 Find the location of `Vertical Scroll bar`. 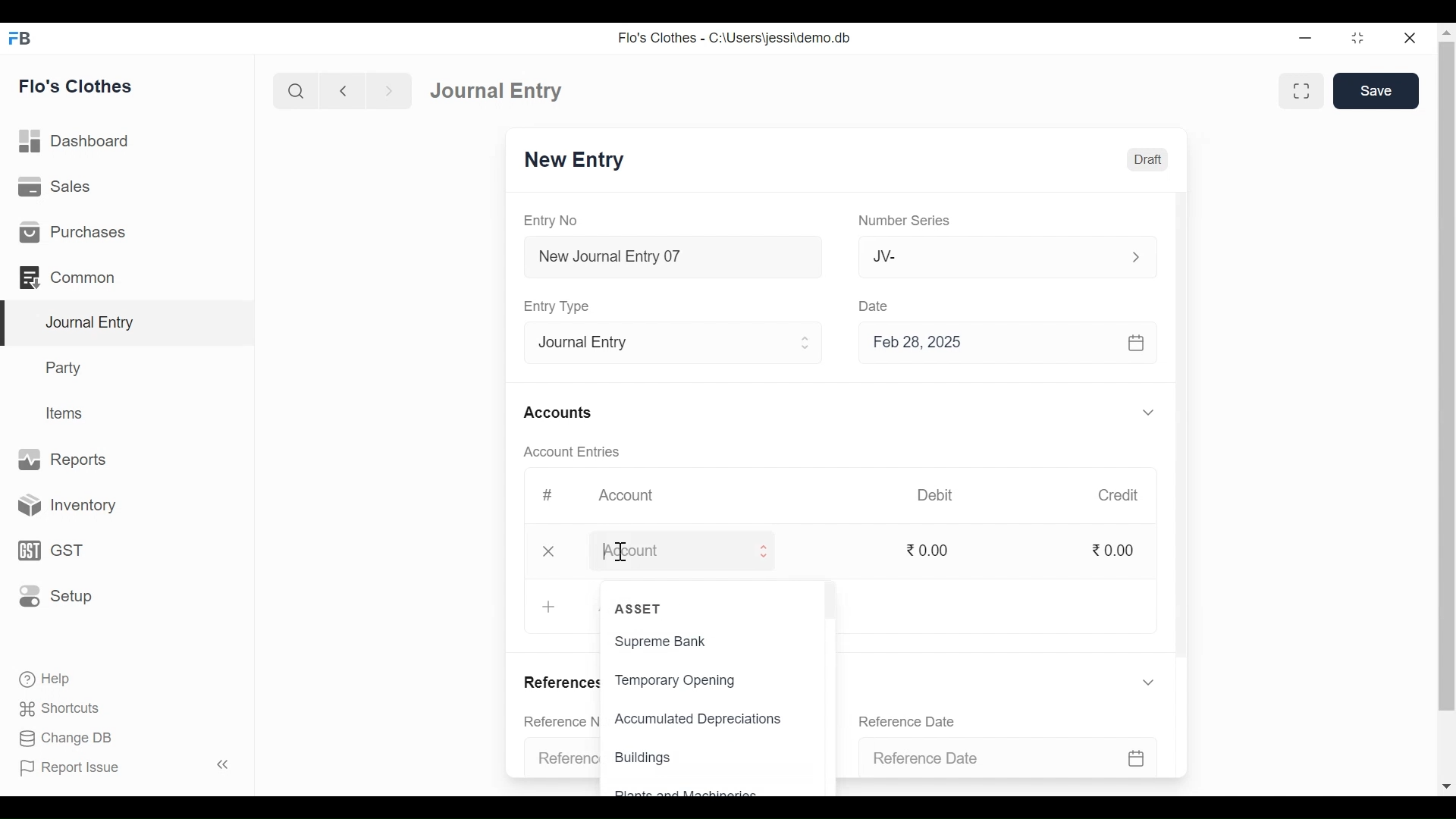

Vertical Scroll bar is located at coordinates (1447, 376).